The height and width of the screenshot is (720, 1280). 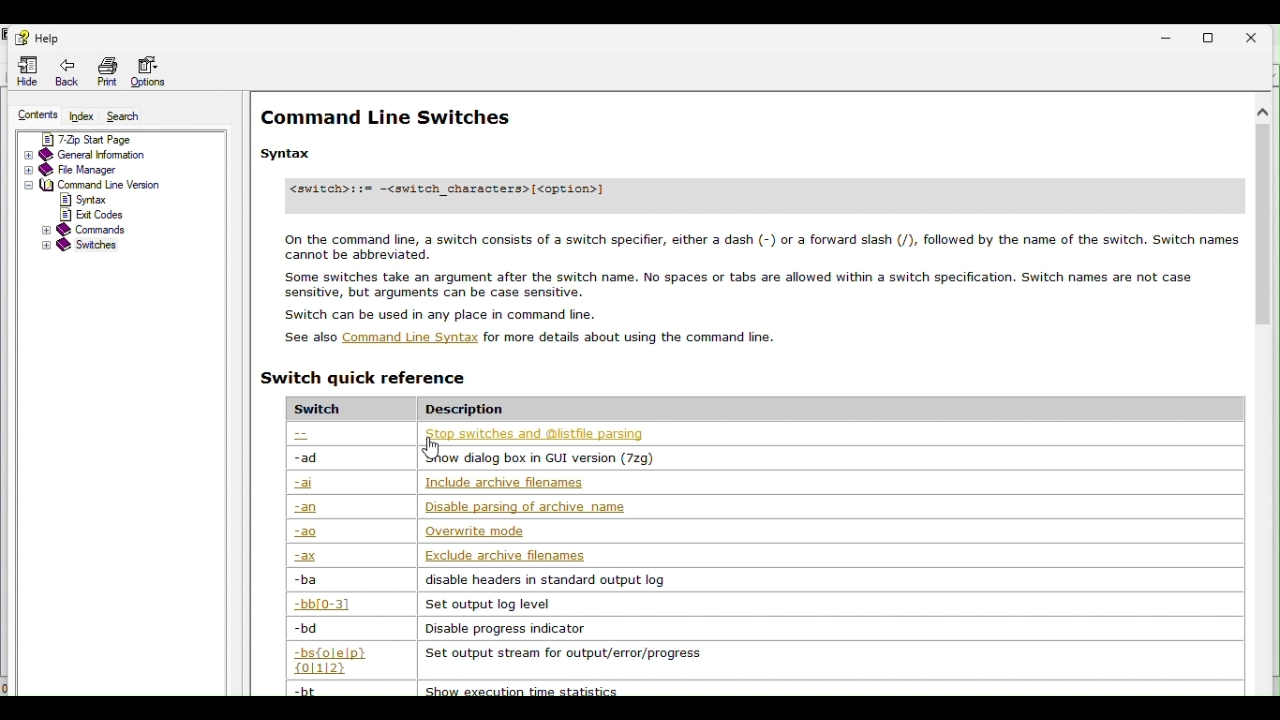 What do you see at coordinates (375, 376) in the screenshot?
I see `Switch reference` at bounding box center [375, 376].